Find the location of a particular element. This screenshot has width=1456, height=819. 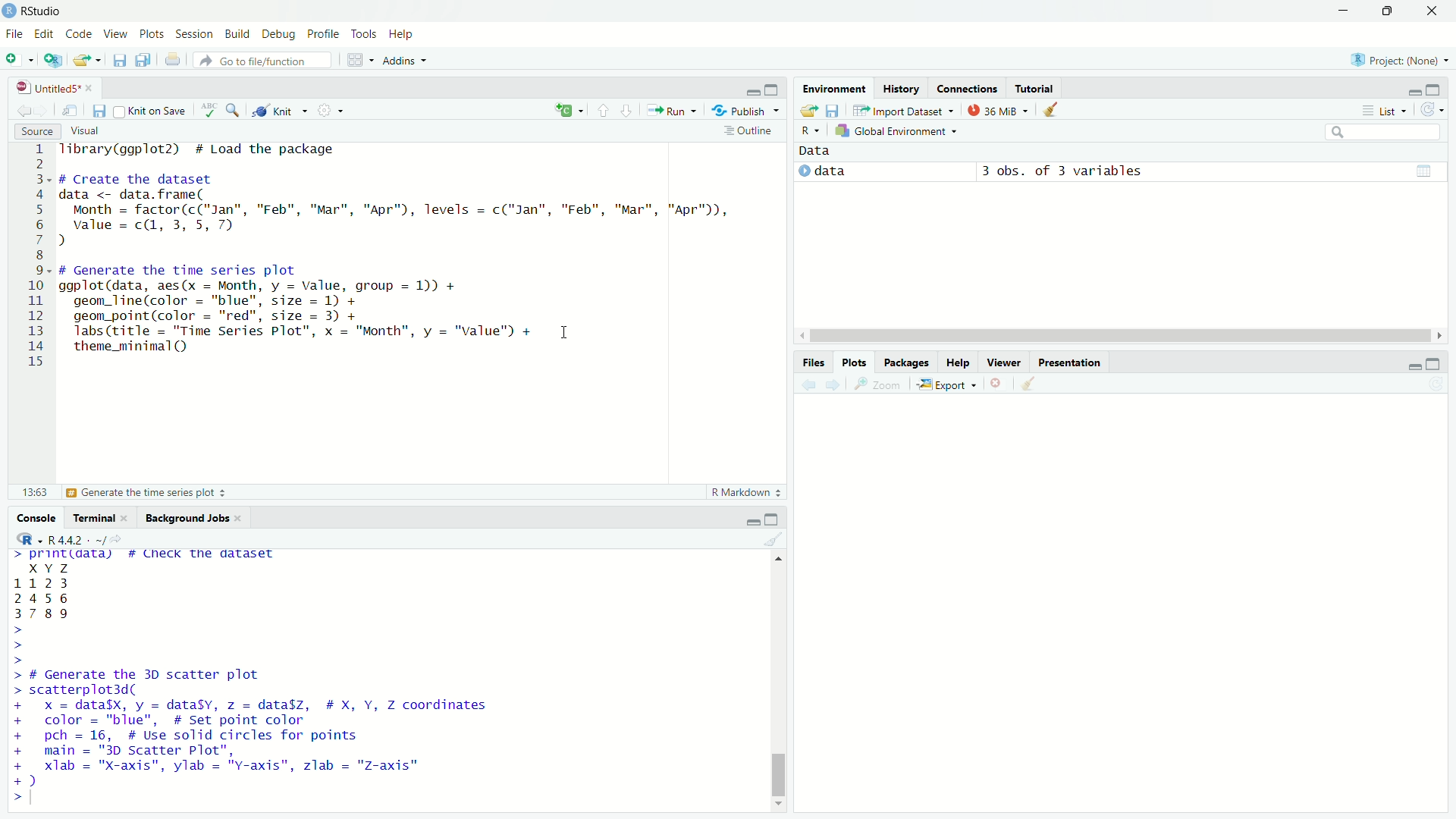

Debug is located at coordinates (278, 34).